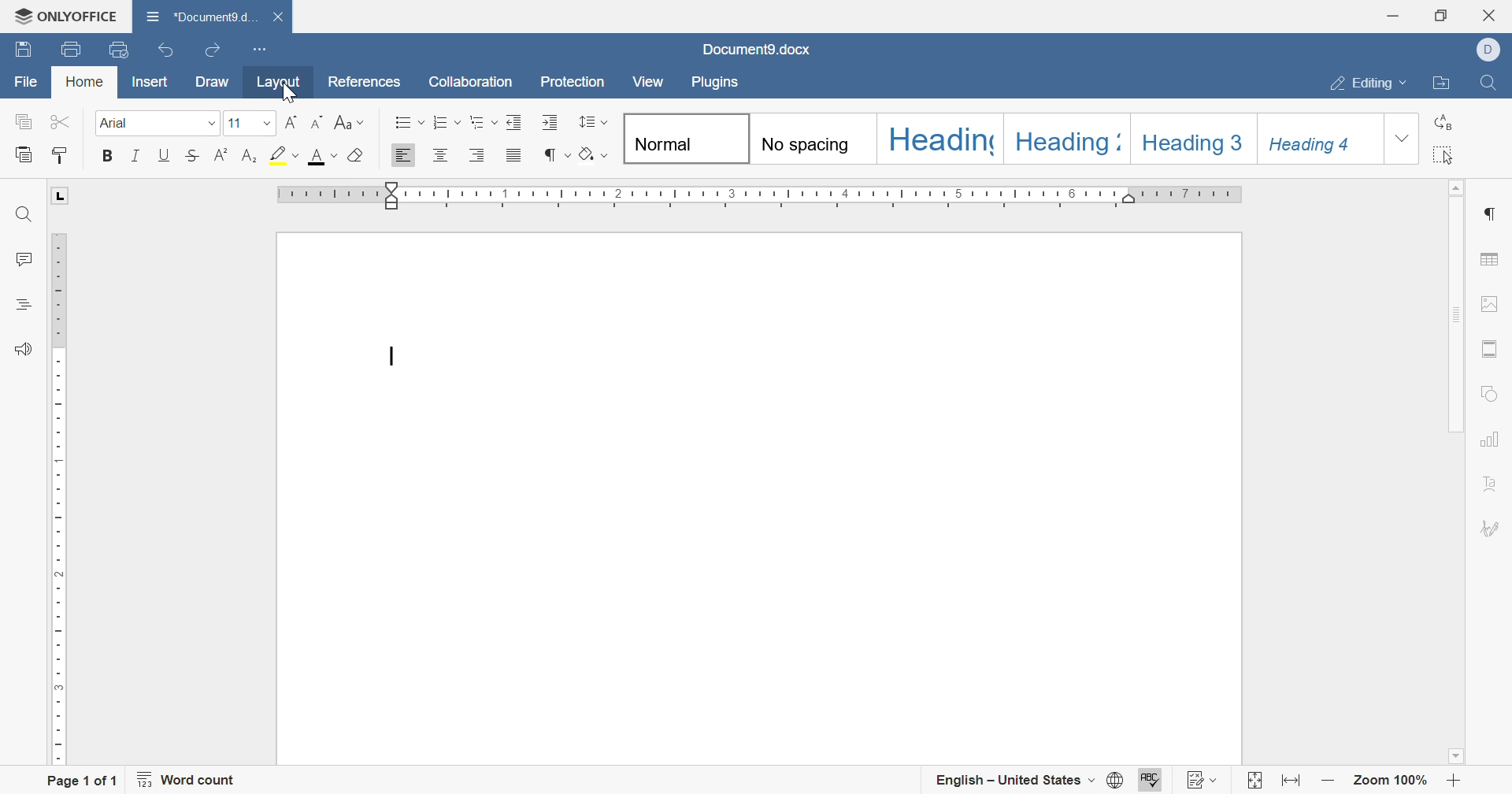  What do you see at coordinates (215, 52) in the screenshot?
I see `redo` at bounding box center [215, 52].